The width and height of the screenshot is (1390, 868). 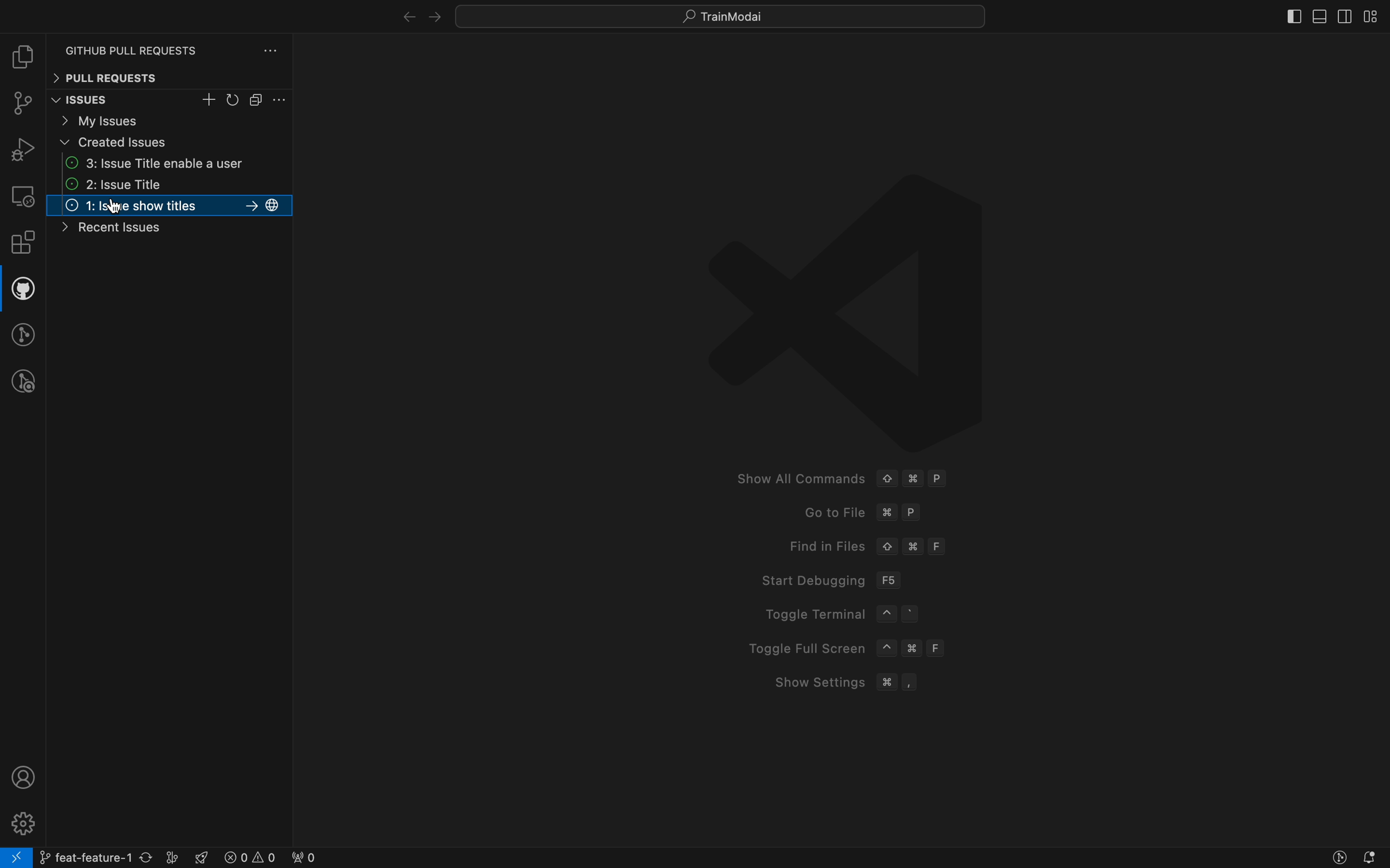 I want to click on issues titles, so click(x=169, y=207).